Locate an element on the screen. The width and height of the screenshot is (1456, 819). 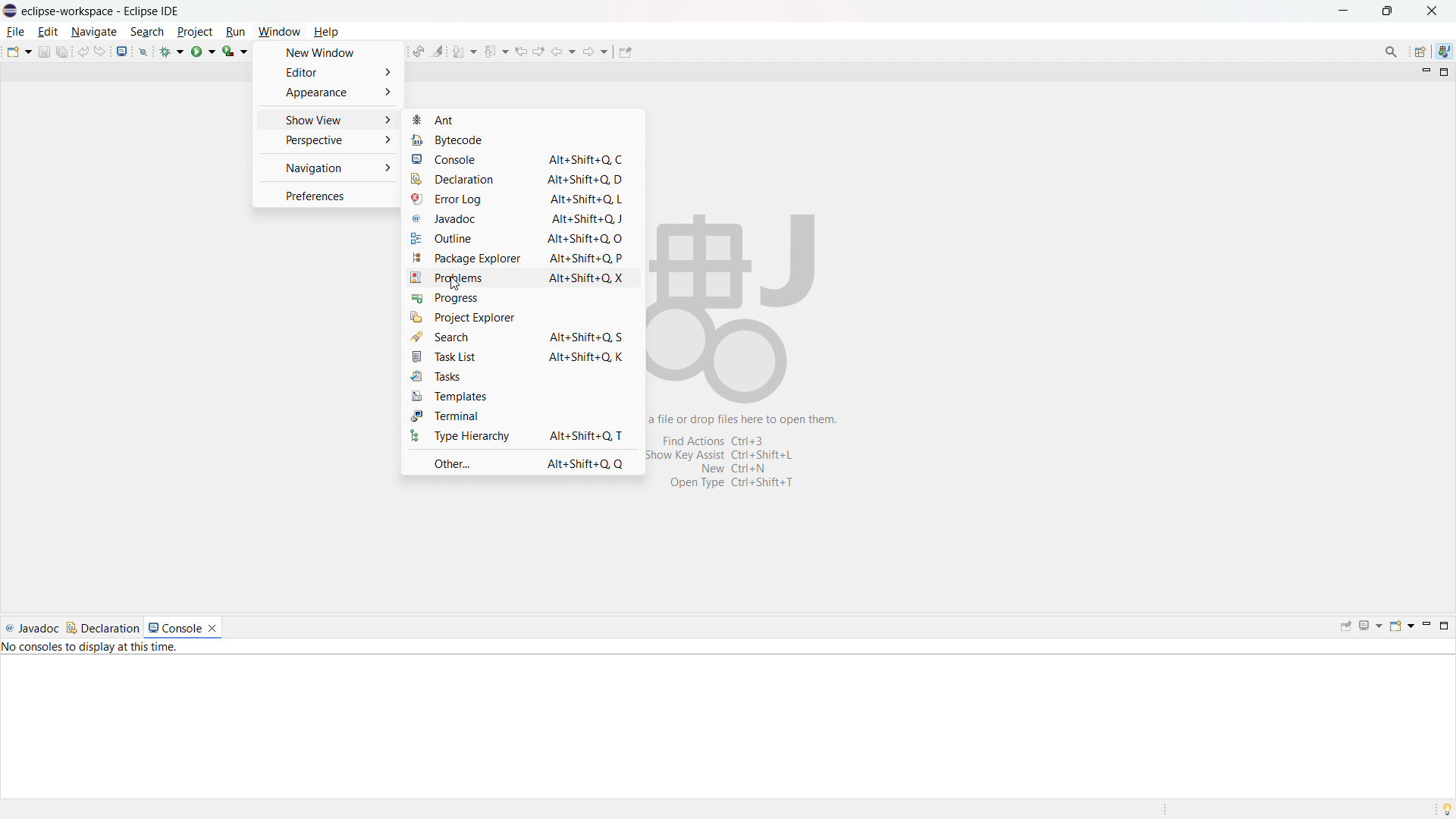
task list is located at coordinates (522, 356).